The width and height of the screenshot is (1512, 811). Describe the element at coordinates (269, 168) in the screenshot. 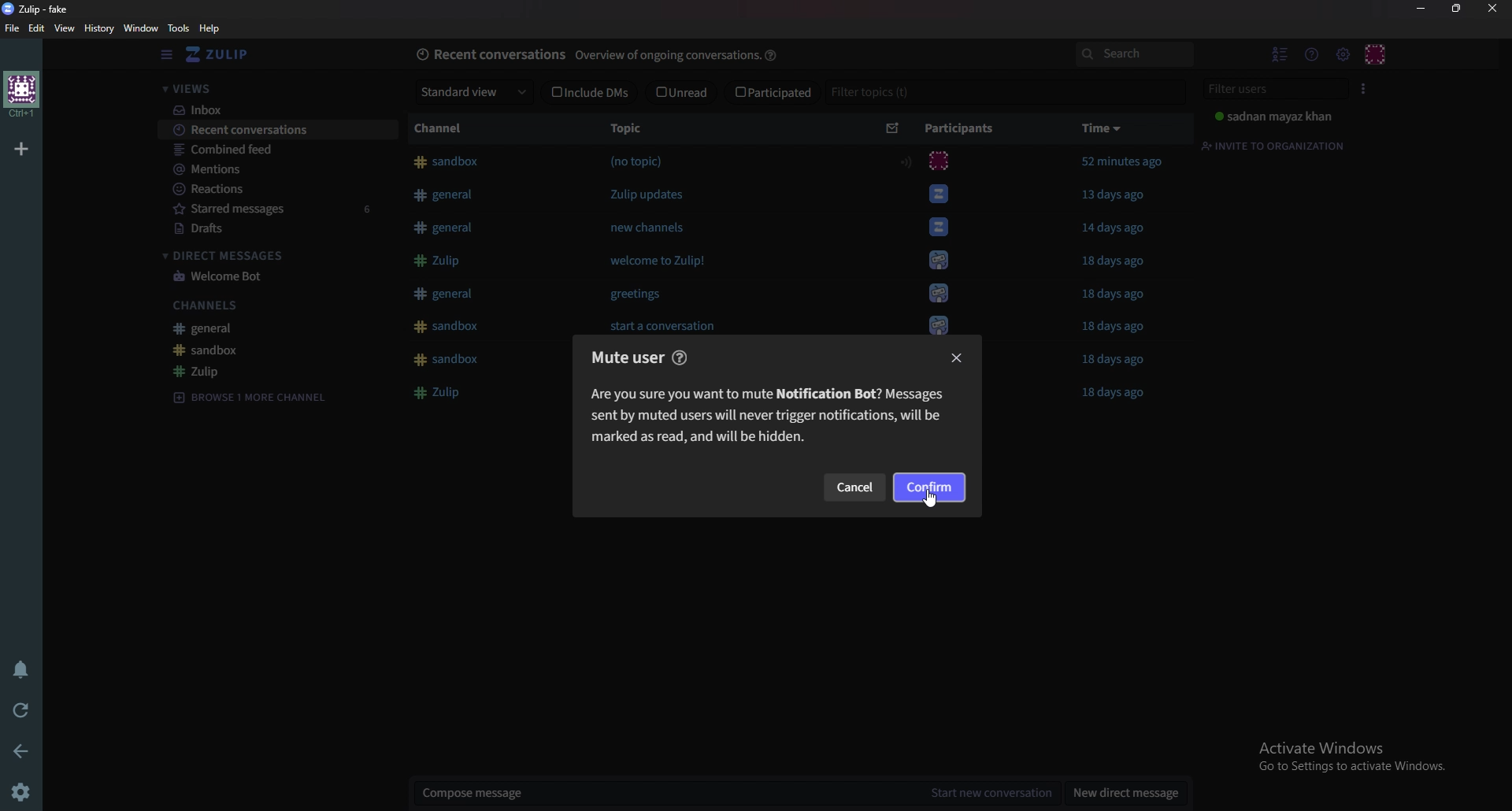

I see `Mentions` at that location.